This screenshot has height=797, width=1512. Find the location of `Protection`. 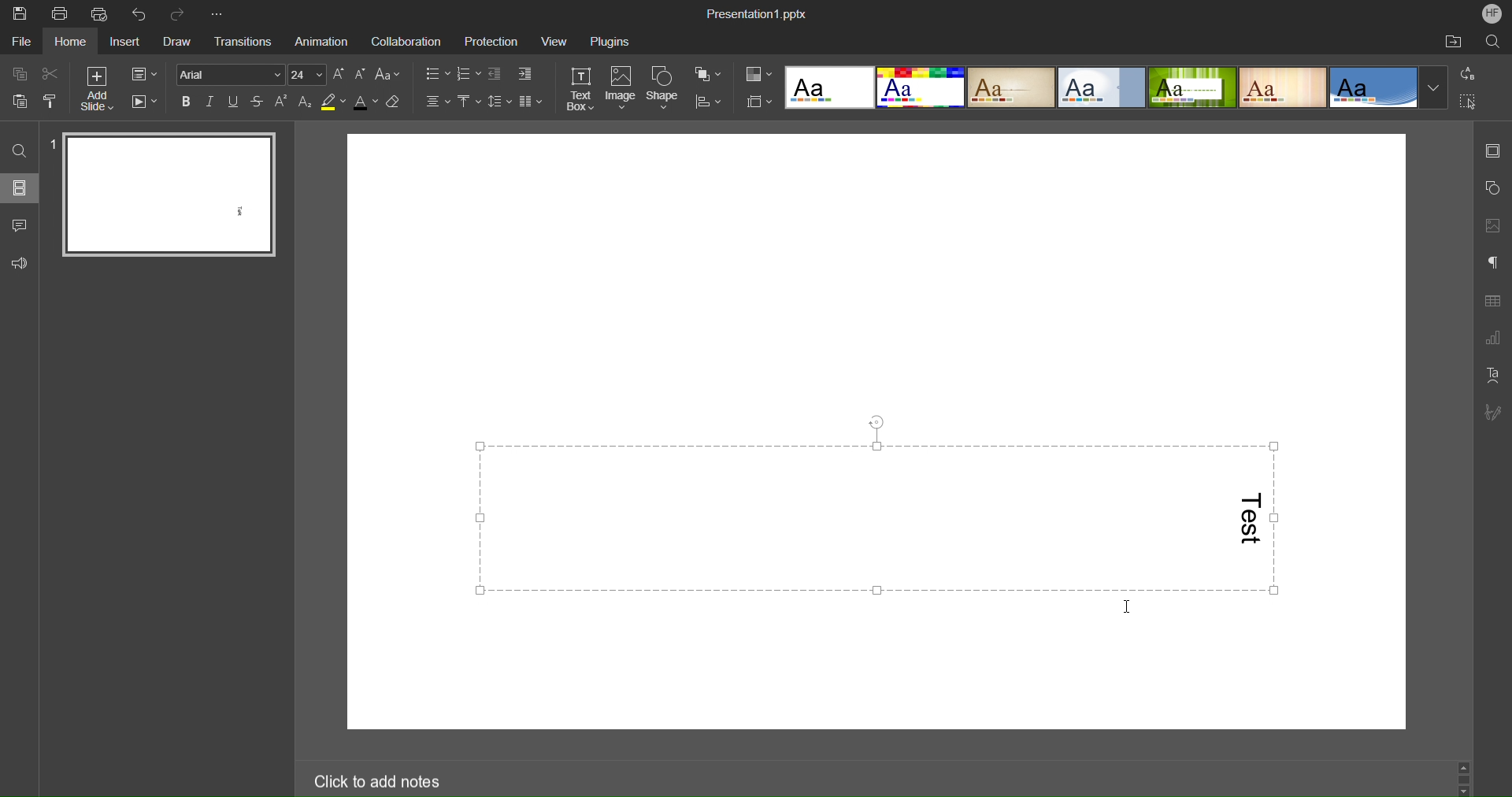

Protection is located at coordinates (487, 40).